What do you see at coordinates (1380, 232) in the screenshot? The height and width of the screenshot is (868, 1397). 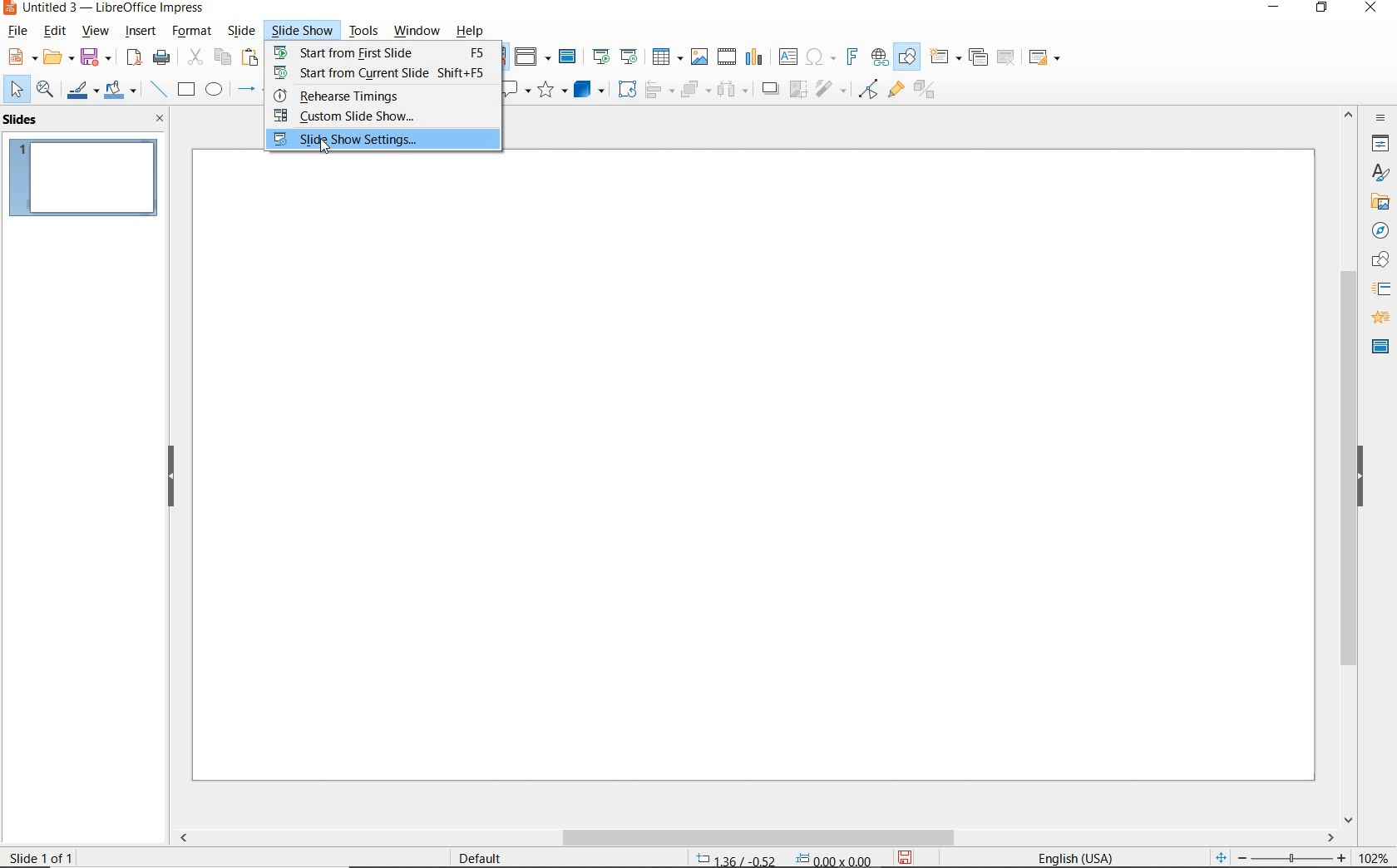 I see `NAVIGATOR` at bounding box center [1380, 232].